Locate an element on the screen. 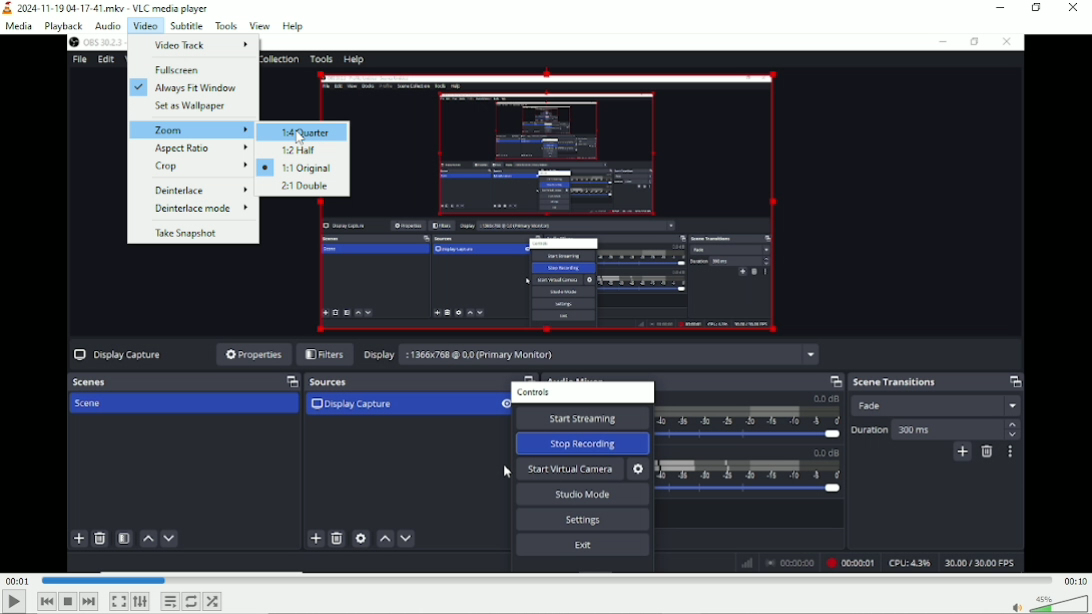 This screenshot has height=614, width=1092. Deinterlace mode is located at coordinates (193, 210).